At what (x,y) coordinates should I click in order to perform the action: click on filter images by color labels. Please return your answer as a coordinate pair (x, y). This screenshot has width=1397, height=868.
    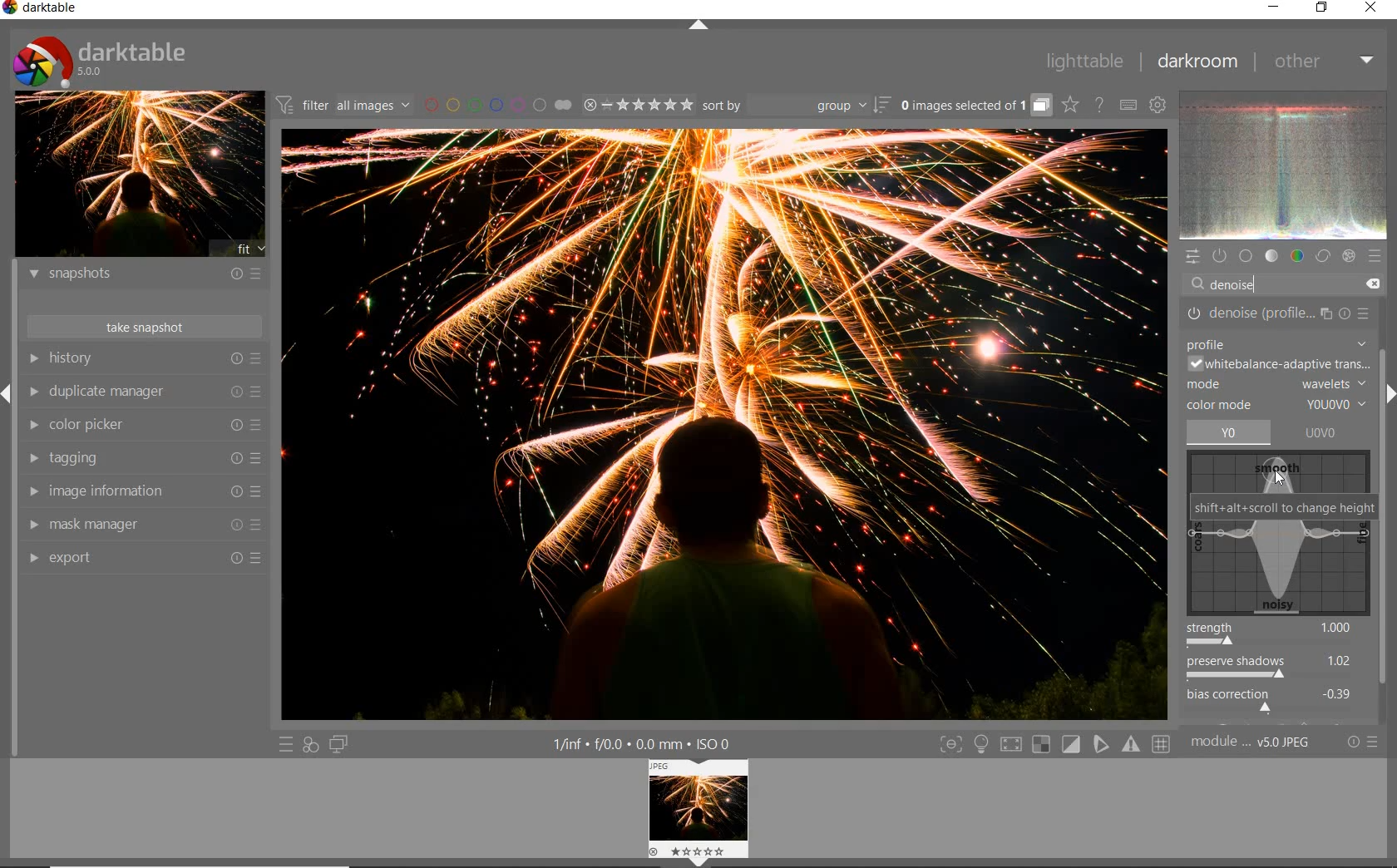
    Looking at the image, I should click on (496, 105).